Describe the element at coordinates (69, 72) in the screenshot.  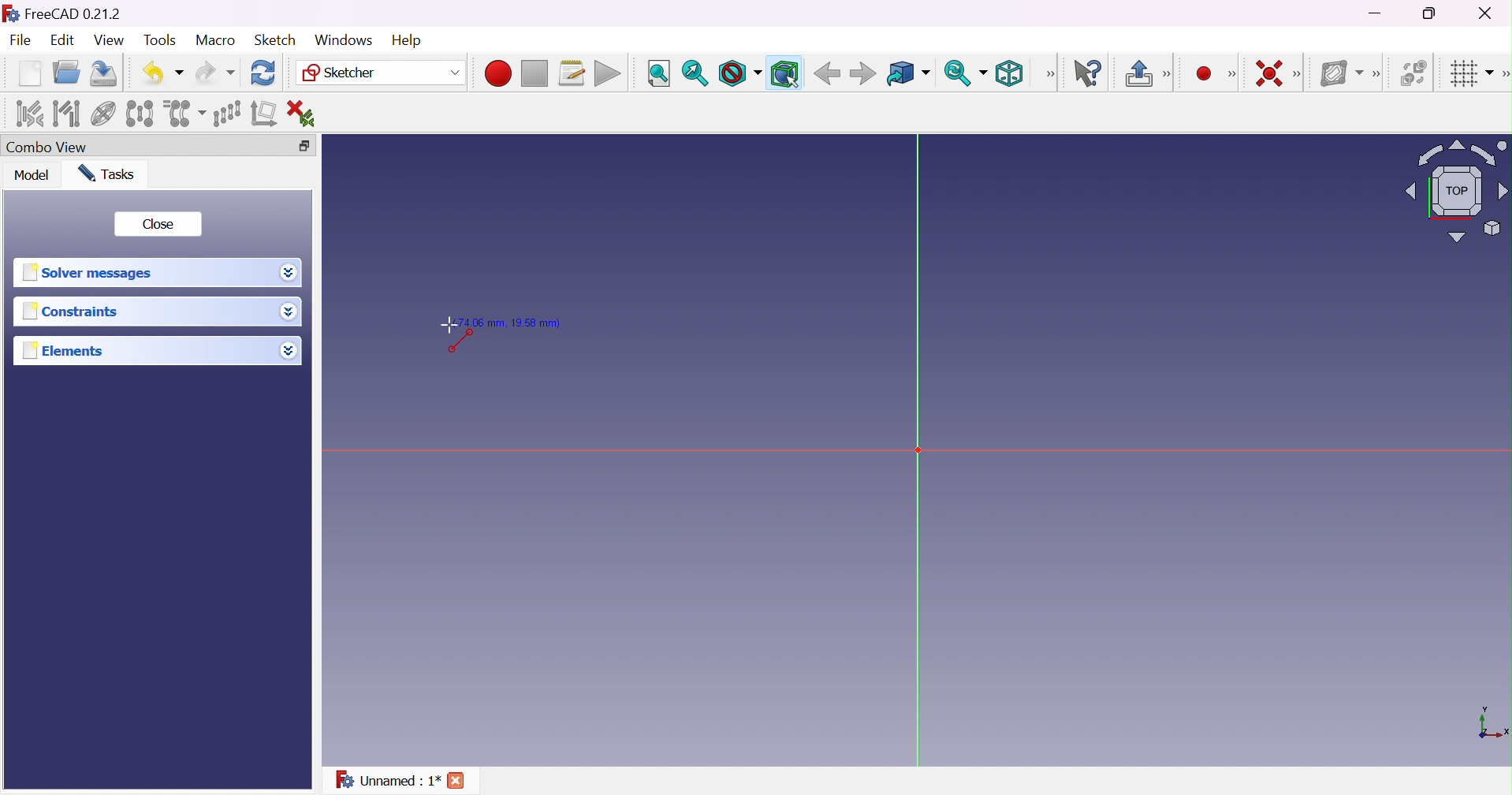
I see `Open` at that location.